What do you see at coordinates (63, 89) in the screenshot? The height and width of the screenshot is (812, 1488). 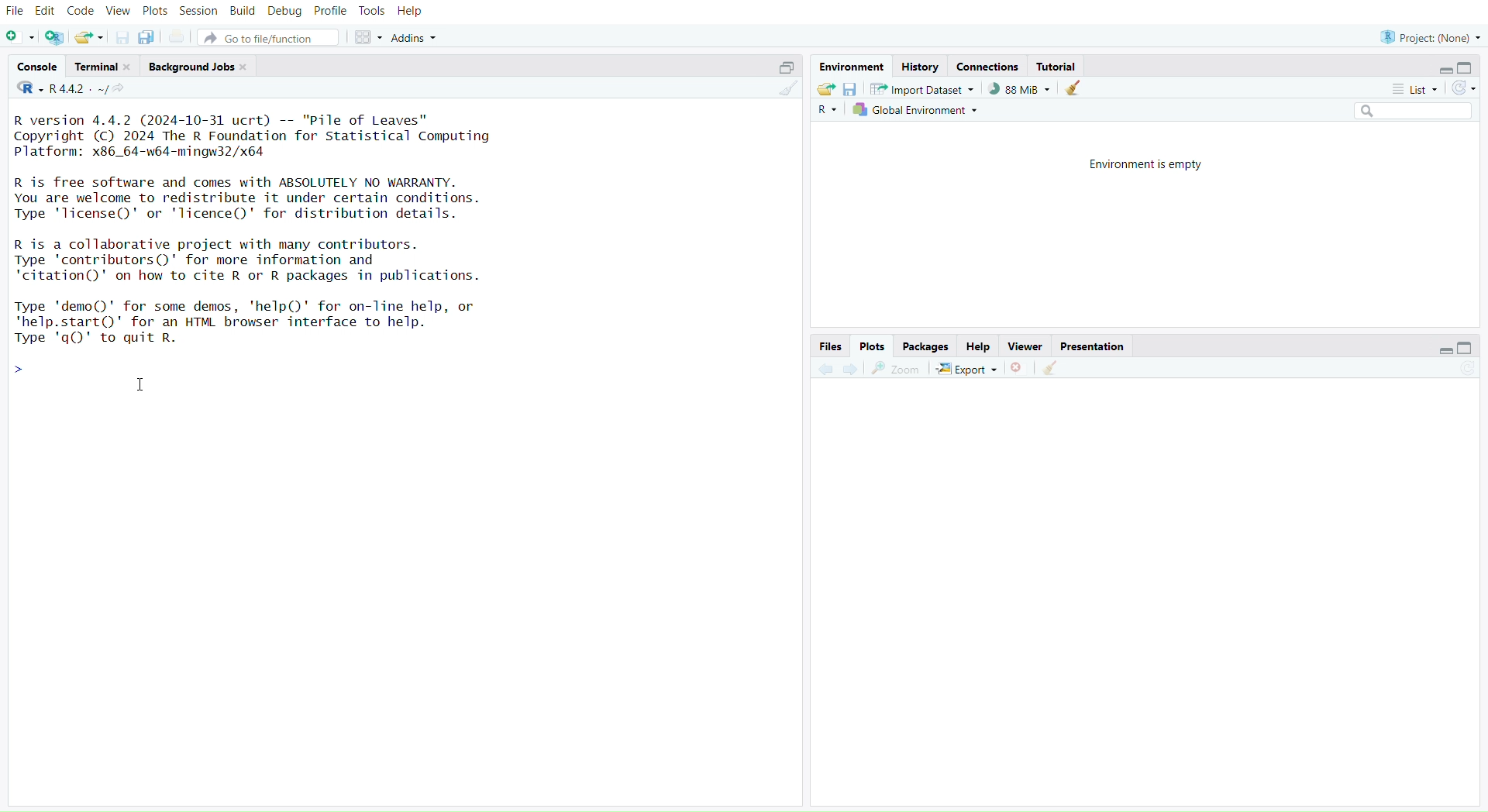 I see `R 4.4.2` at bounding box center [63, 89].